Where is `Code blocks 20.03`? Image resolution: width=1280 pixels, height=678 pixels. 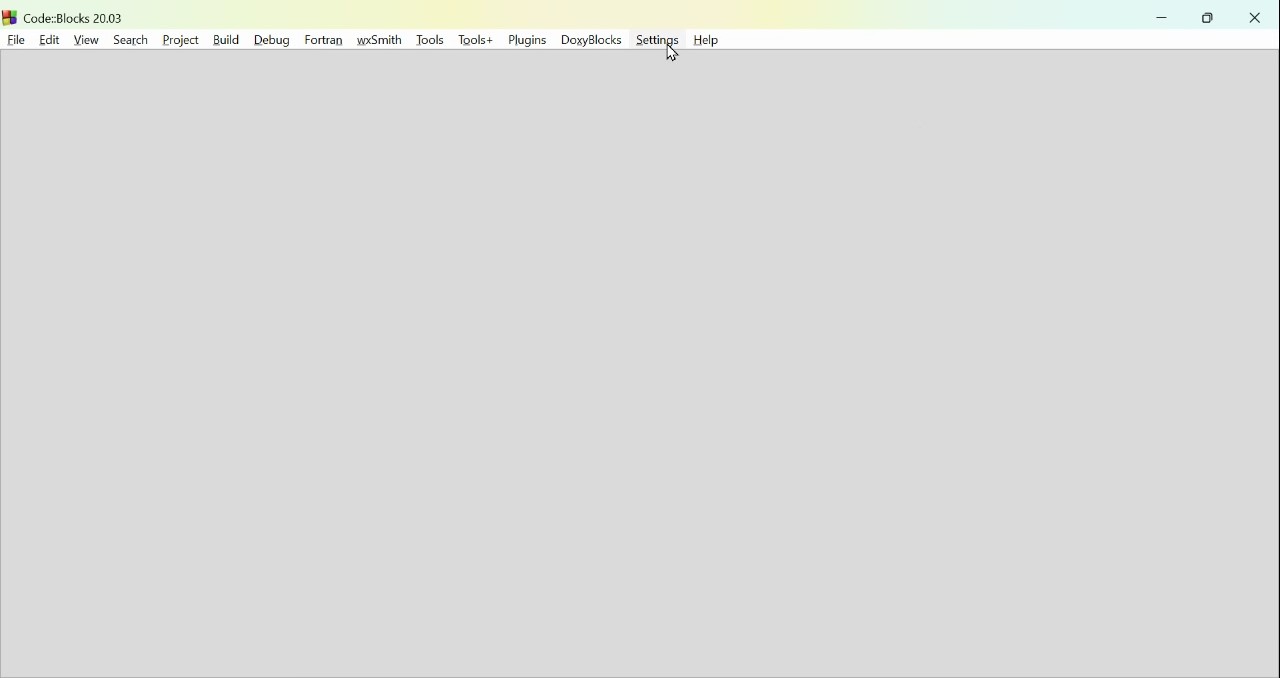 Code blocks 20.03 is located at coordinates (65, 15).